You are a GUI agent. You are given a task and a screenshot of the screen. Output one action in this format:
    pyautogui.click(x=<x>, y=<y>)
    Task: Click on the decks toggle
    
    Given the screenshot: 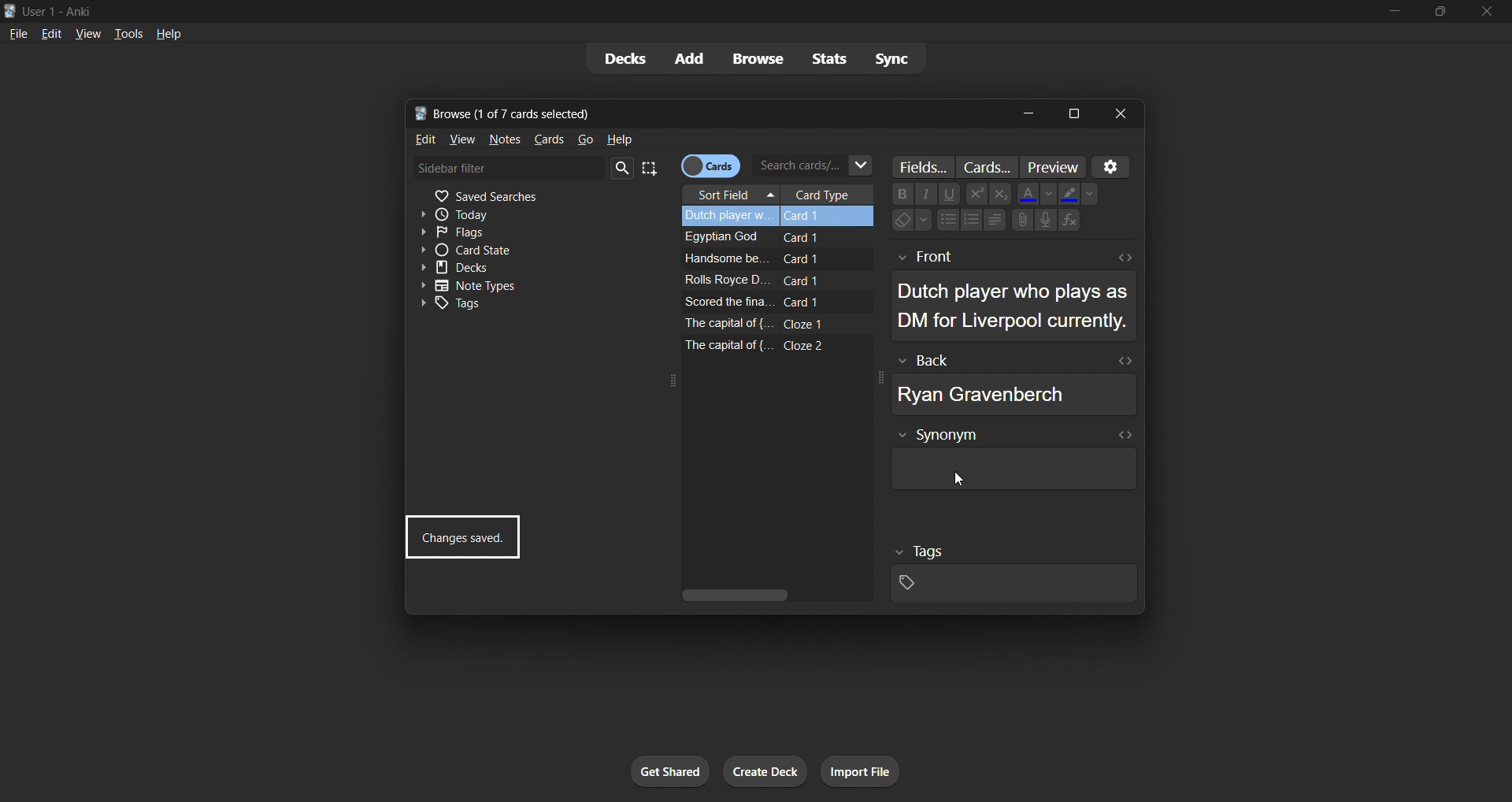 What is the action you would take?
    pyautogui.click(x=509, y=268)
    